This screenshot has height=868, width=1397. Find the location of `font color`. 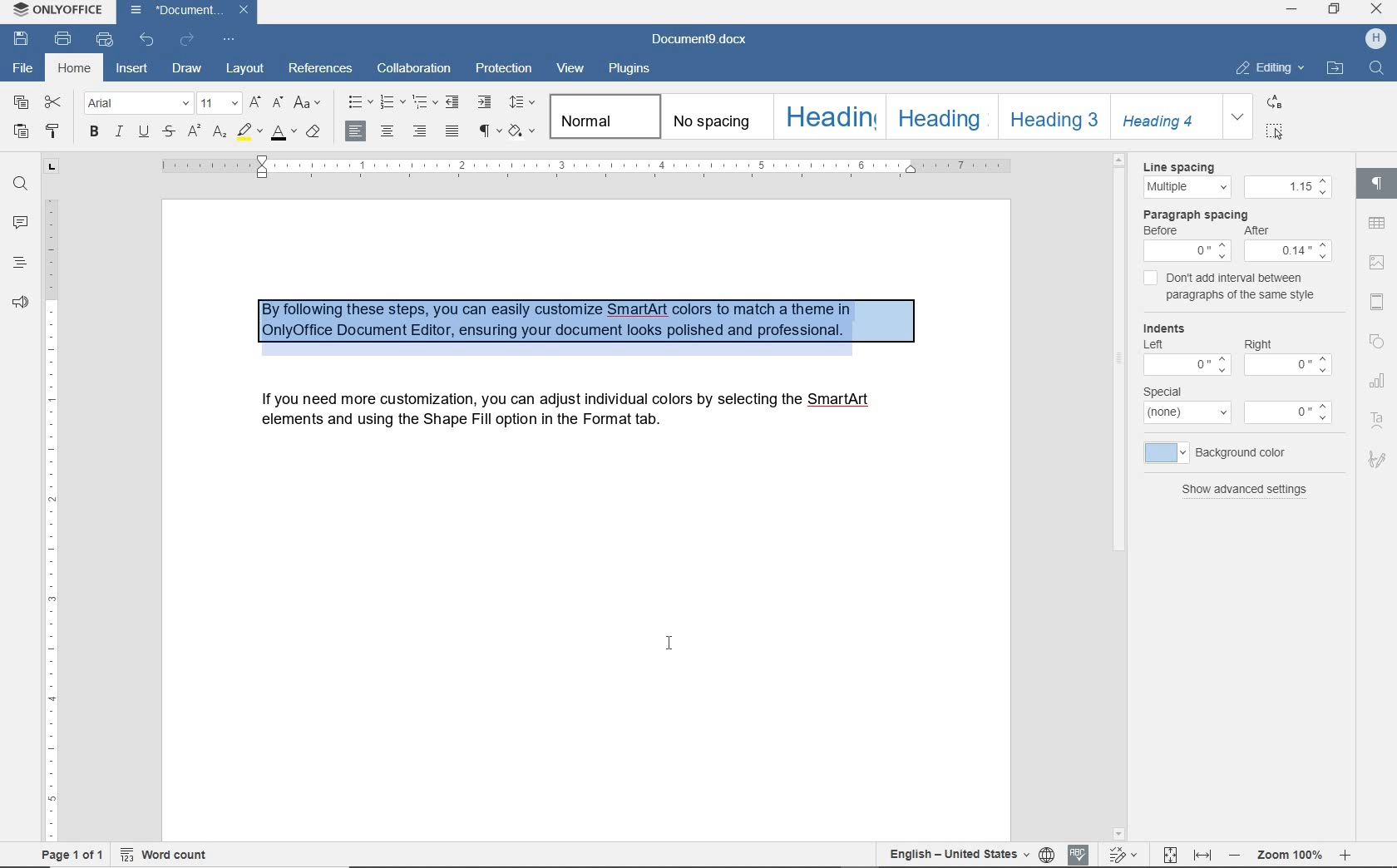

font color is located at coordinates (284, 136).